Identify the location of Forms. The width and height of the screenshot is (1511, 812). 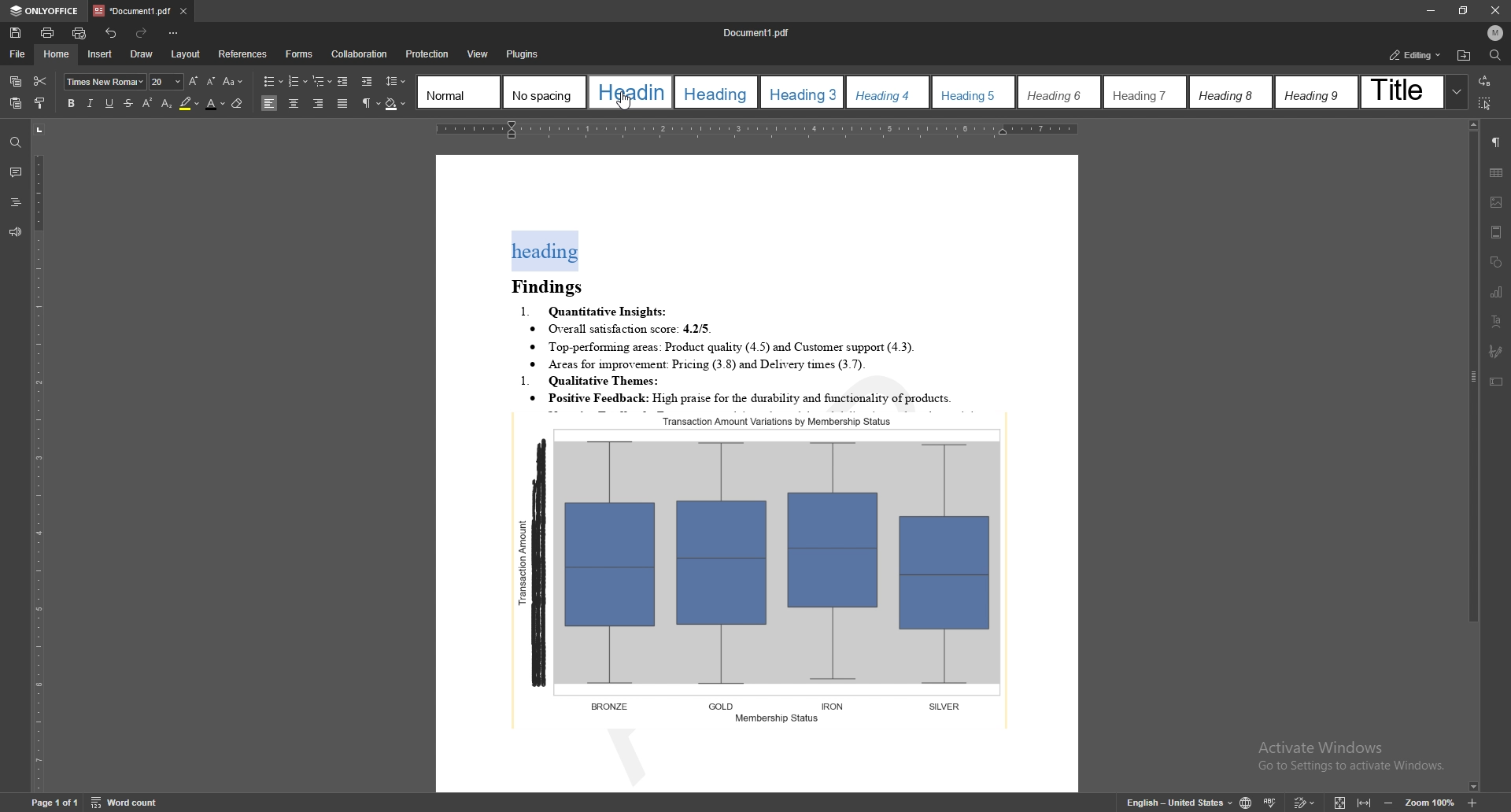
(295, 54).